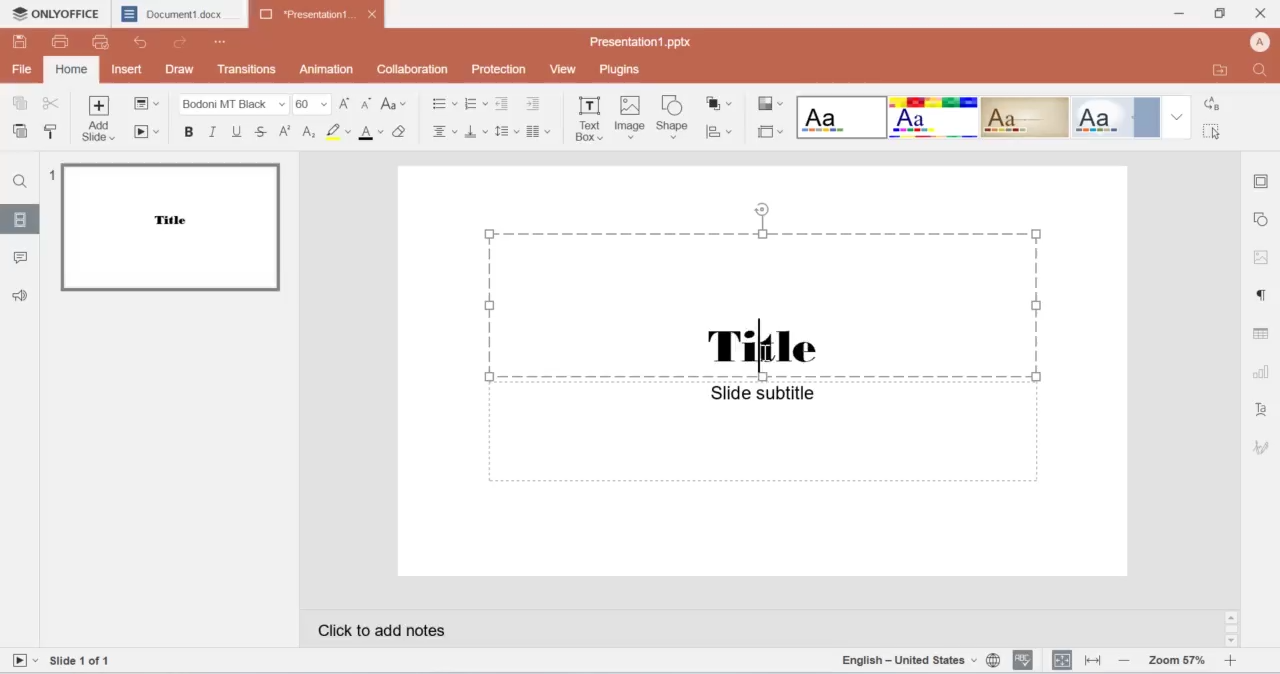 This screenshot has width=1280, height=674. Describe the element at coordinates (758, 372) in the screenshot. I see `canvas` at that location.